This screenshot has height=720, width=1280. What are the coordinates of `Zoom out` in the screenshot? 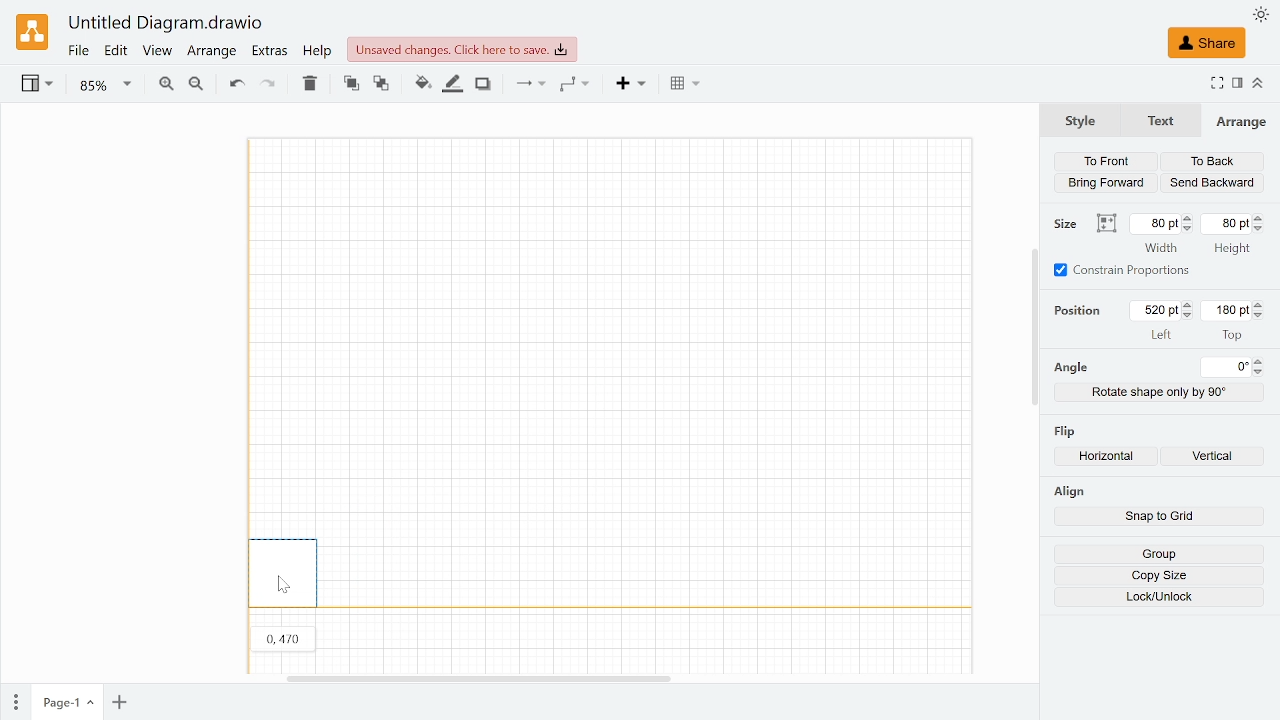 It's located at (196, 86).